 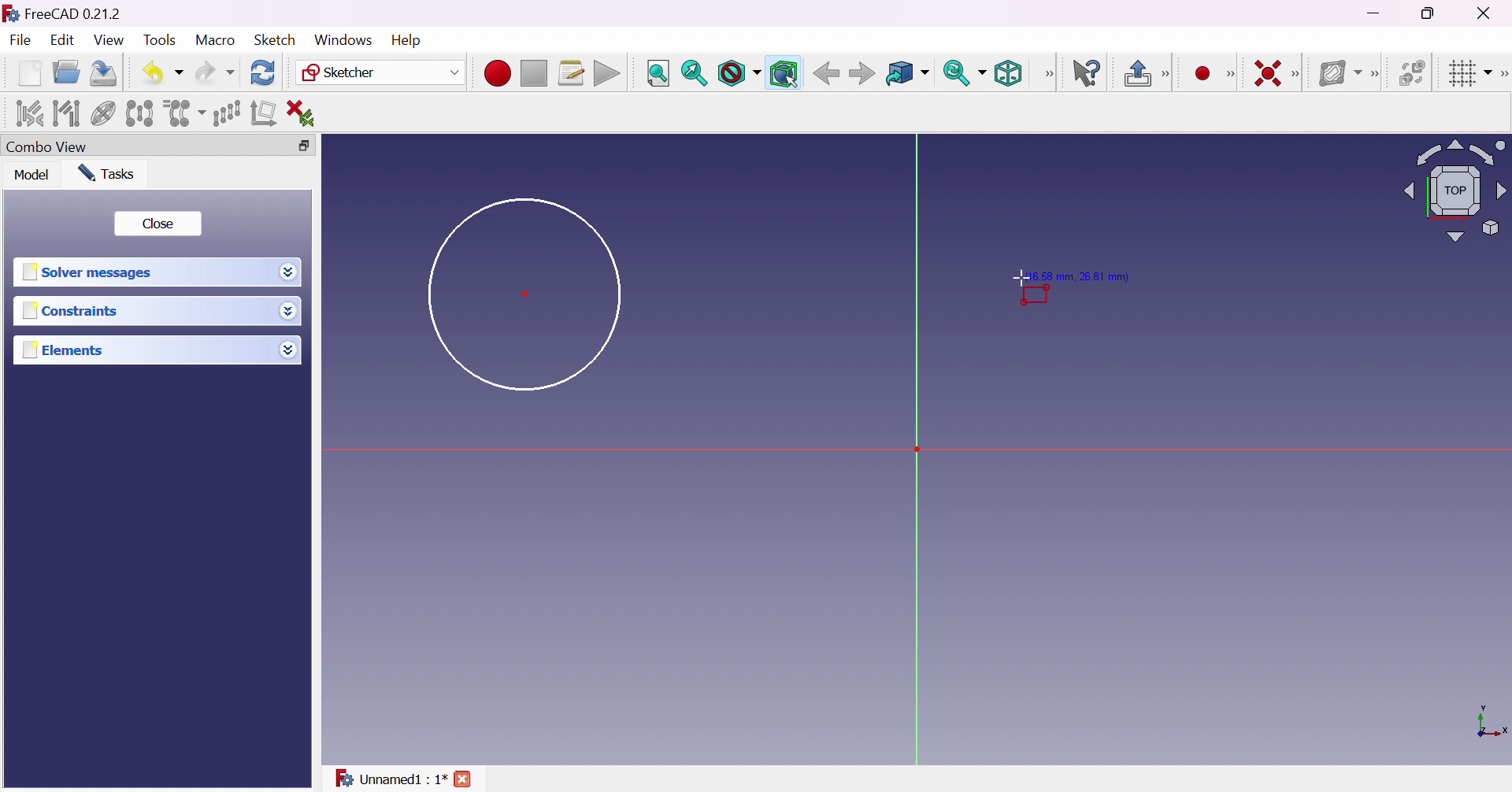 What do you see at coordinates (163, 72) in the screenshot?
I see `Undo` at bounding box center [163, 72].